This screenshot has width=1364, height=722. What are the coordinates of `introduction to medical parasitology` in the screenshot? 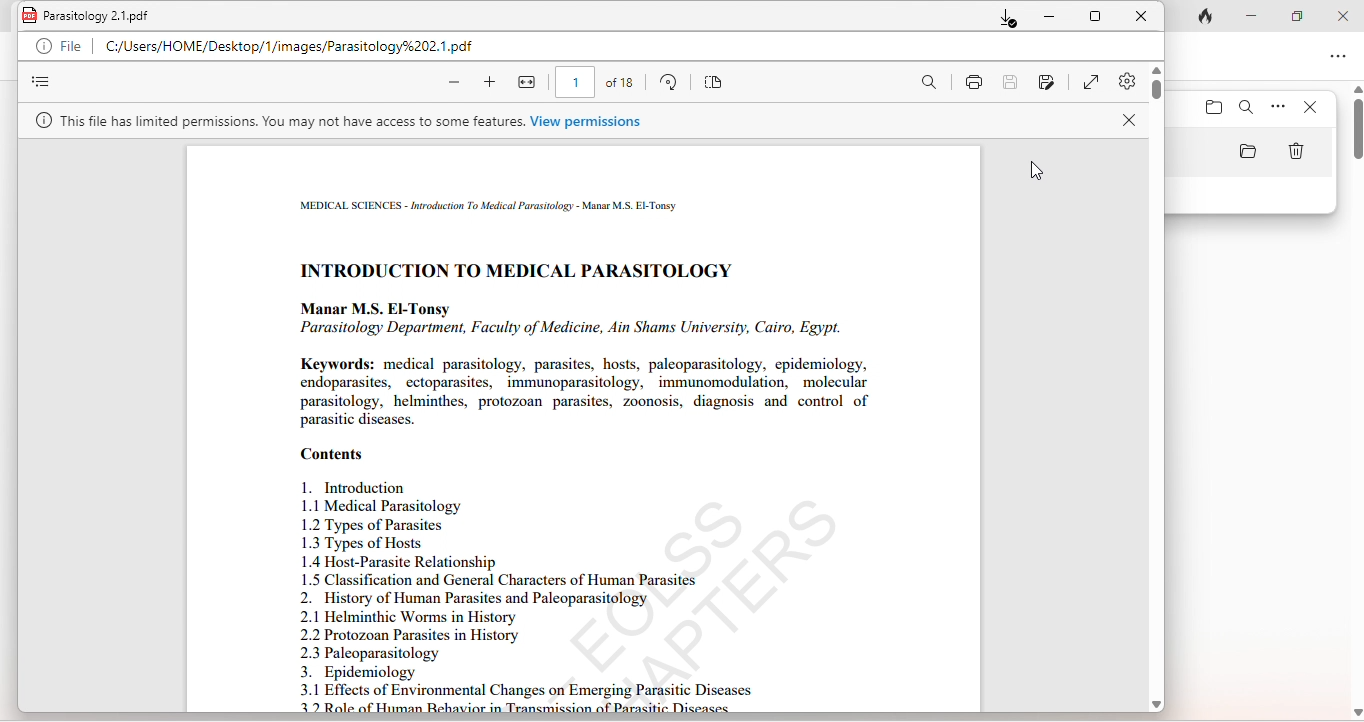 It's located at (533, 275).